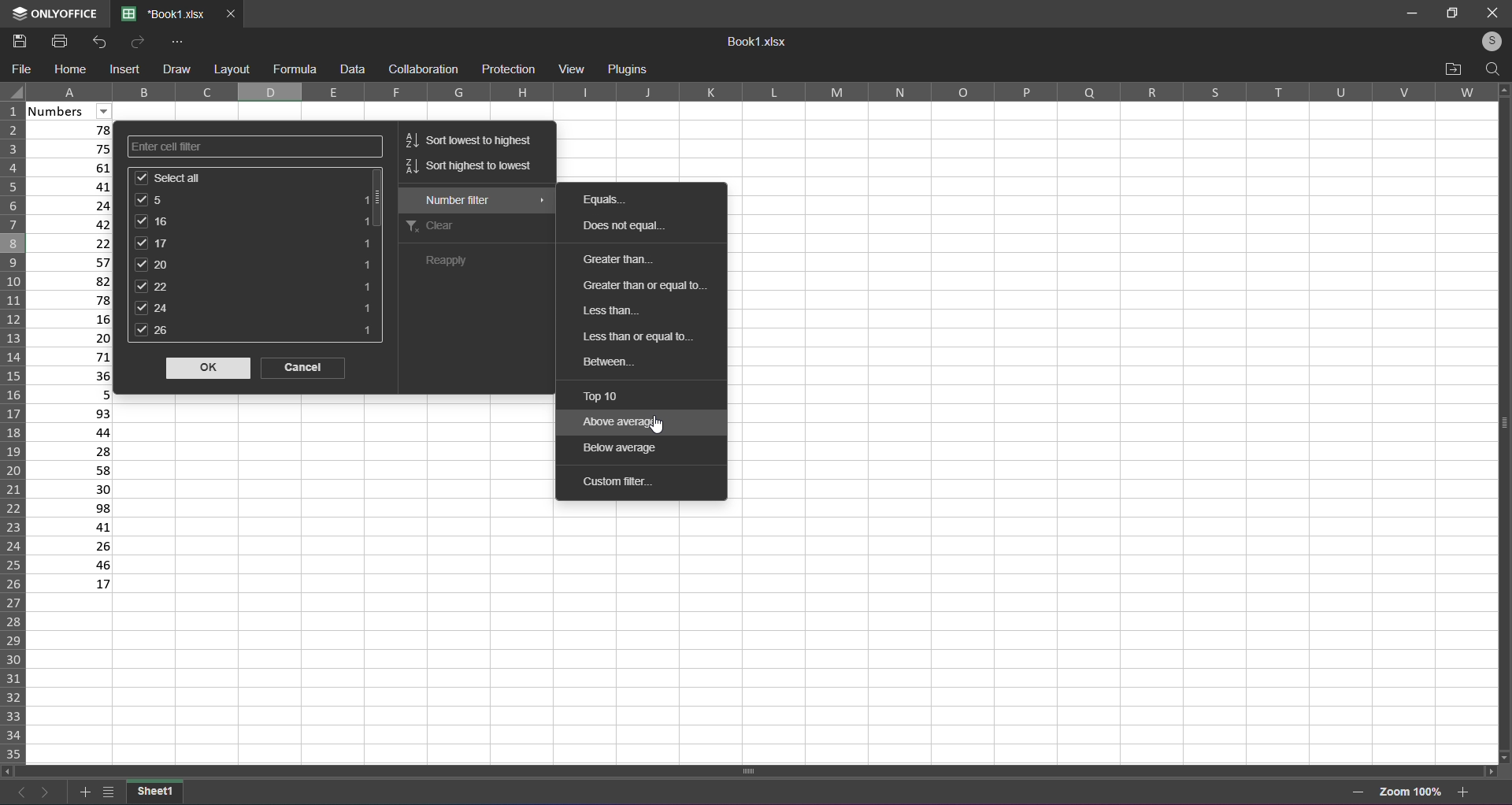  What do you see at coordinates (353, 69) in the screenshot?
I see `data` at bounding box center [353, 69].